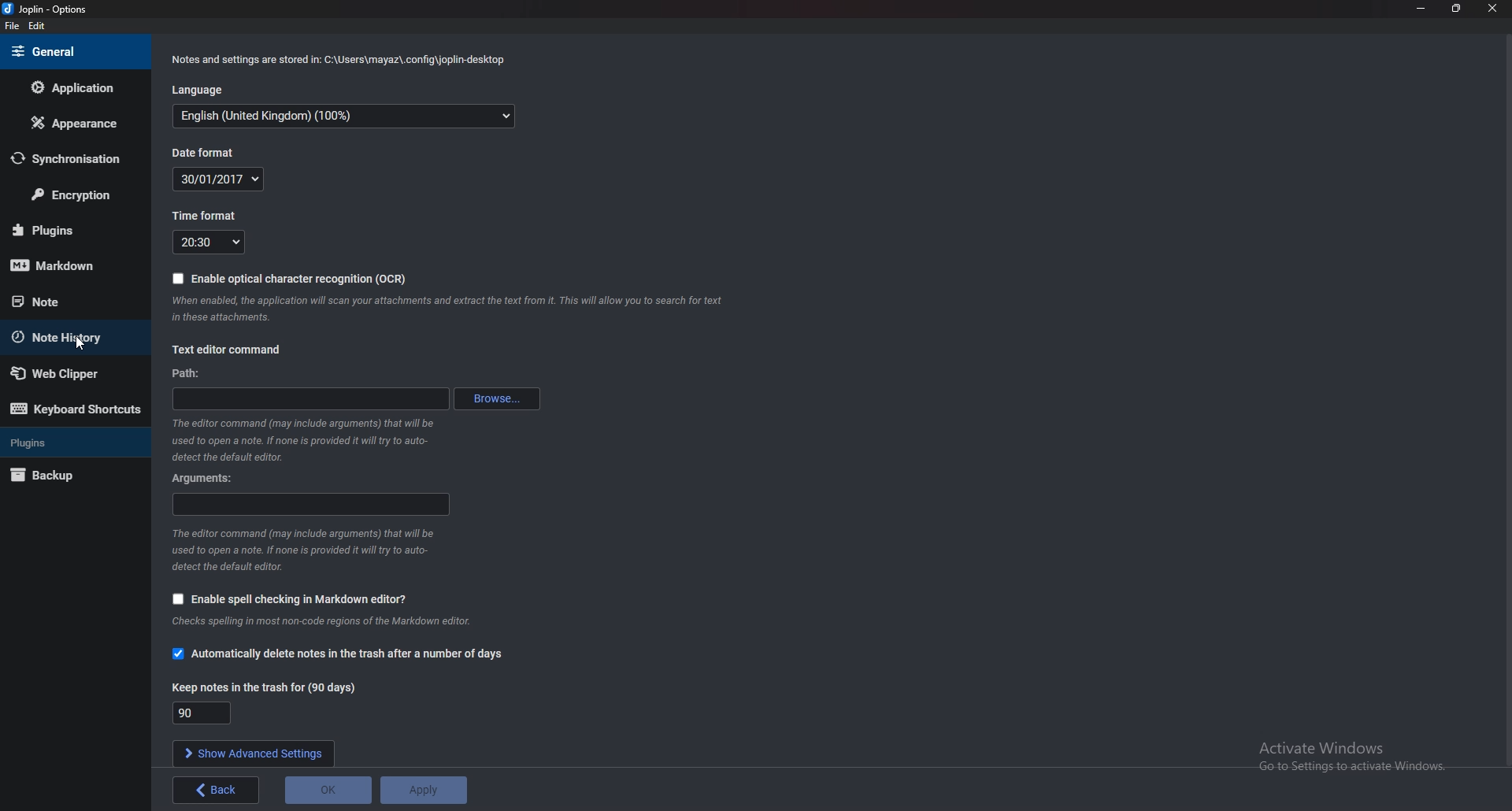 The width and height of the screenshot is (1512, 811). Describe the element at coordinates (83, 344) in the screenshot. I see `Cursor` at that location.